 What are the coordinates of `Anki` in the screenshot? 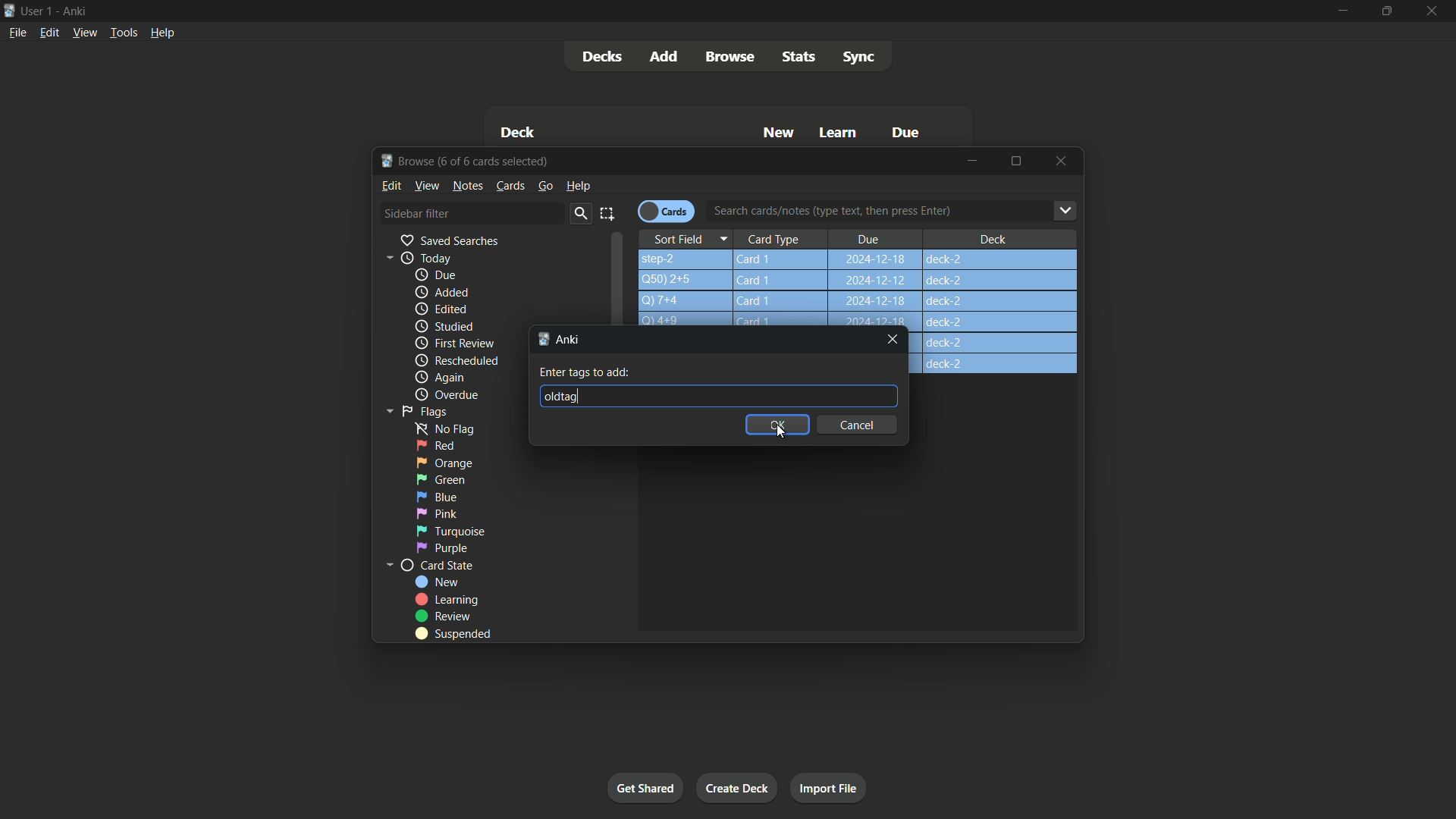 It's located at (561, 339).